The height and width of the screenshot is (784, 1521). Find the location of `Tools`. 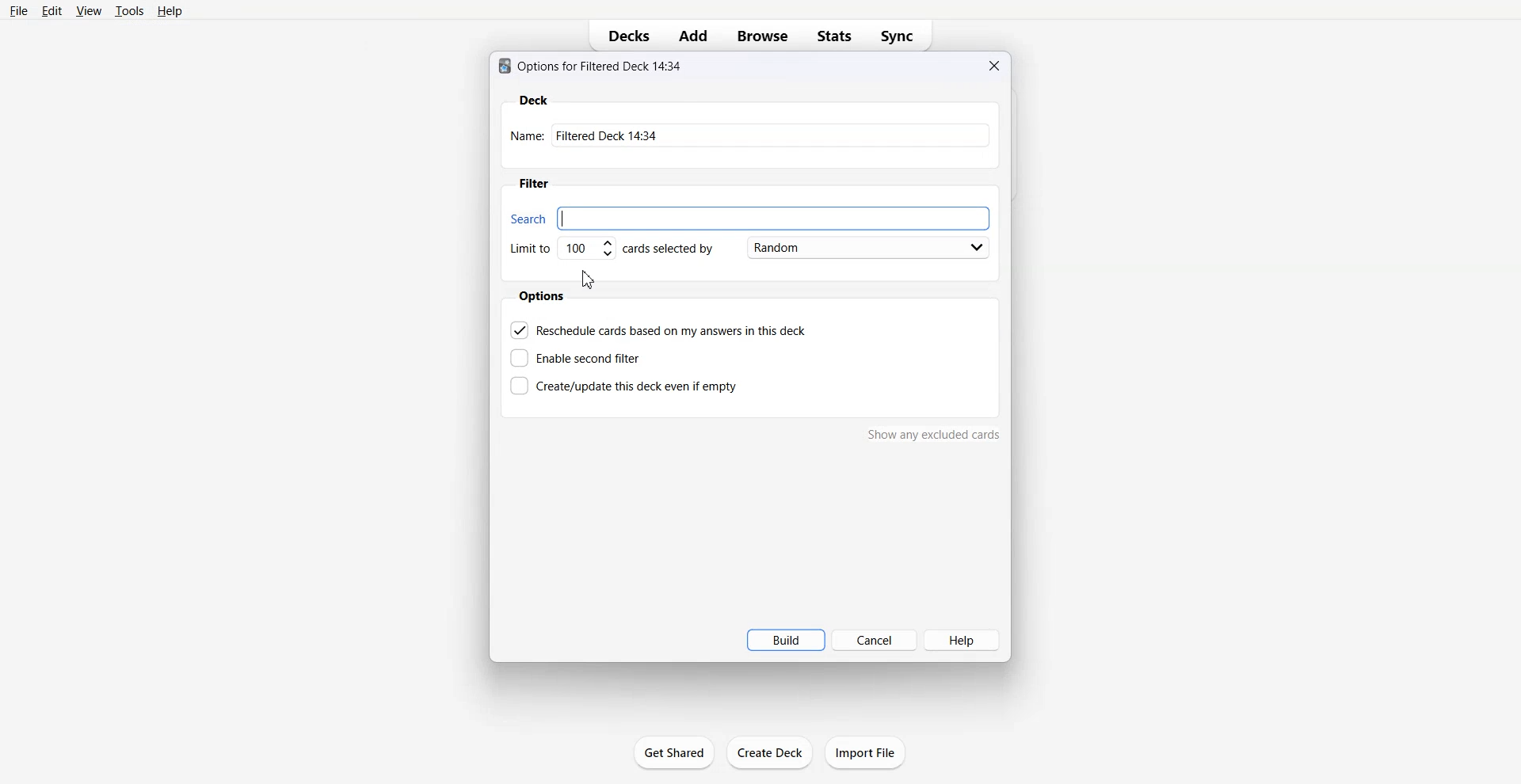

Tools is located at coordinates (130, 10).